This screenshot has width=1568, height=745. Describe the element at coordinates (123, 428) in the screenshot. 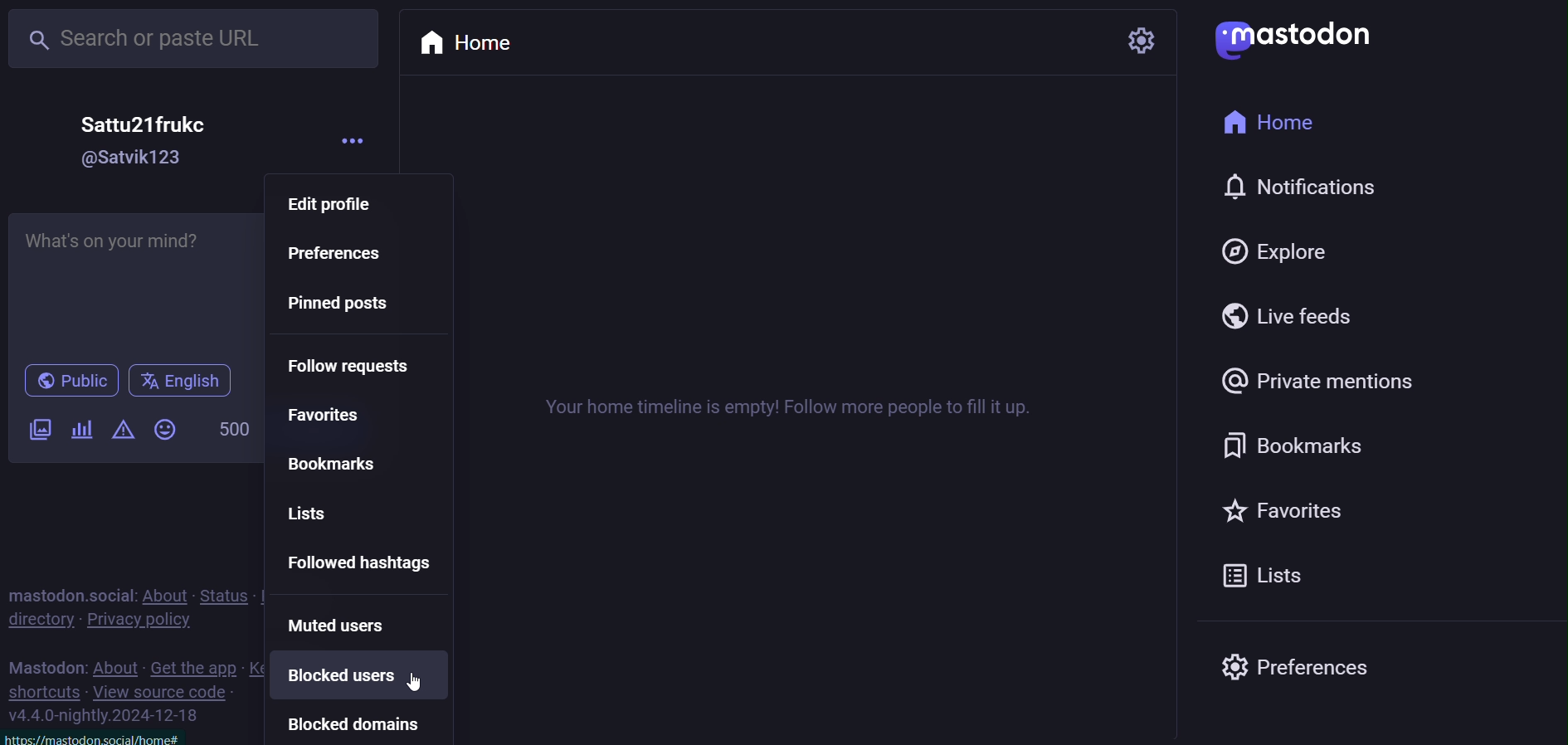

I see `content warning` at that location.